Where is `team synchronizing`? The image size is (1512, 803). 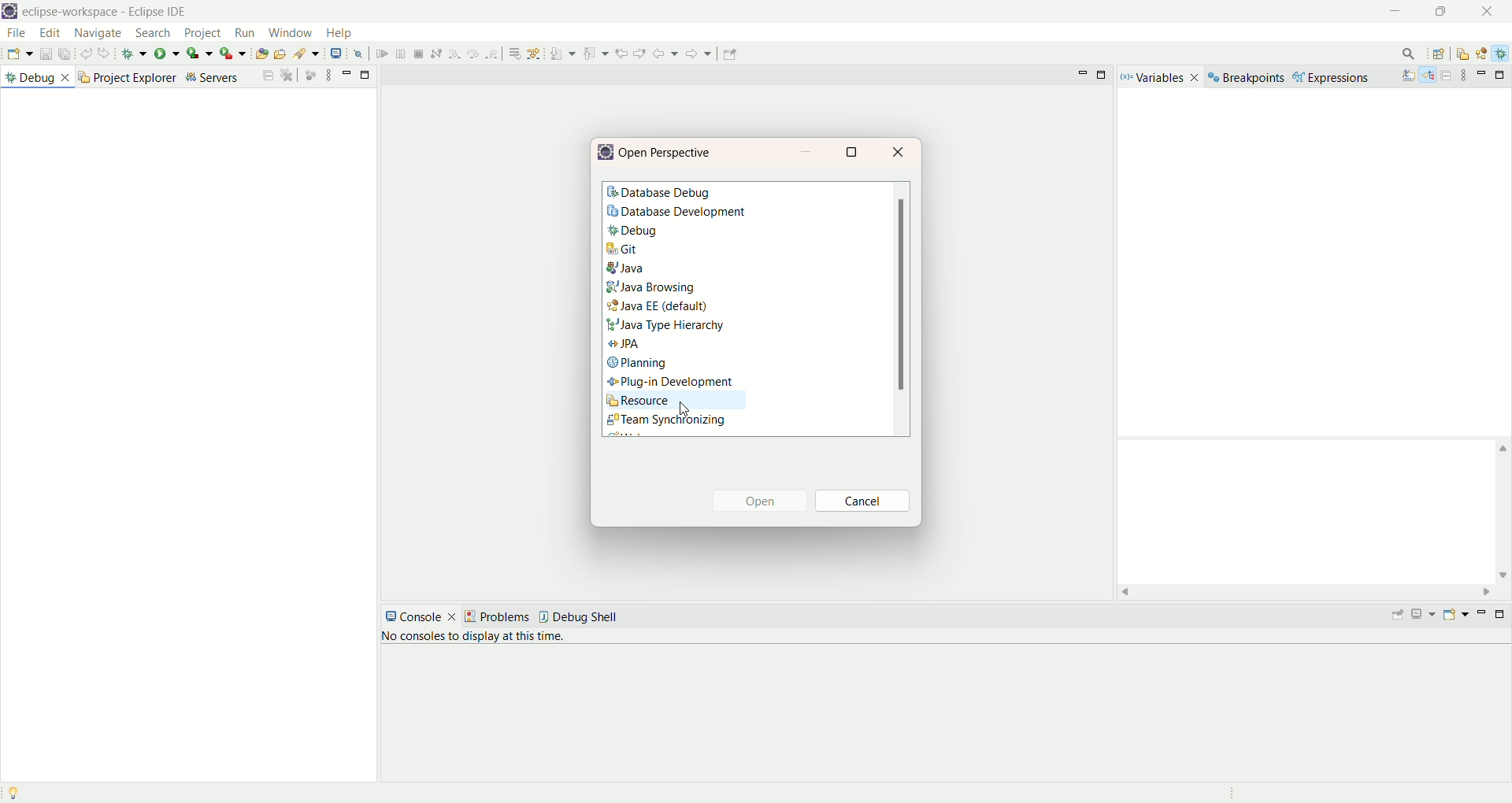 team synchronizing is located at coordinates (668, 424).